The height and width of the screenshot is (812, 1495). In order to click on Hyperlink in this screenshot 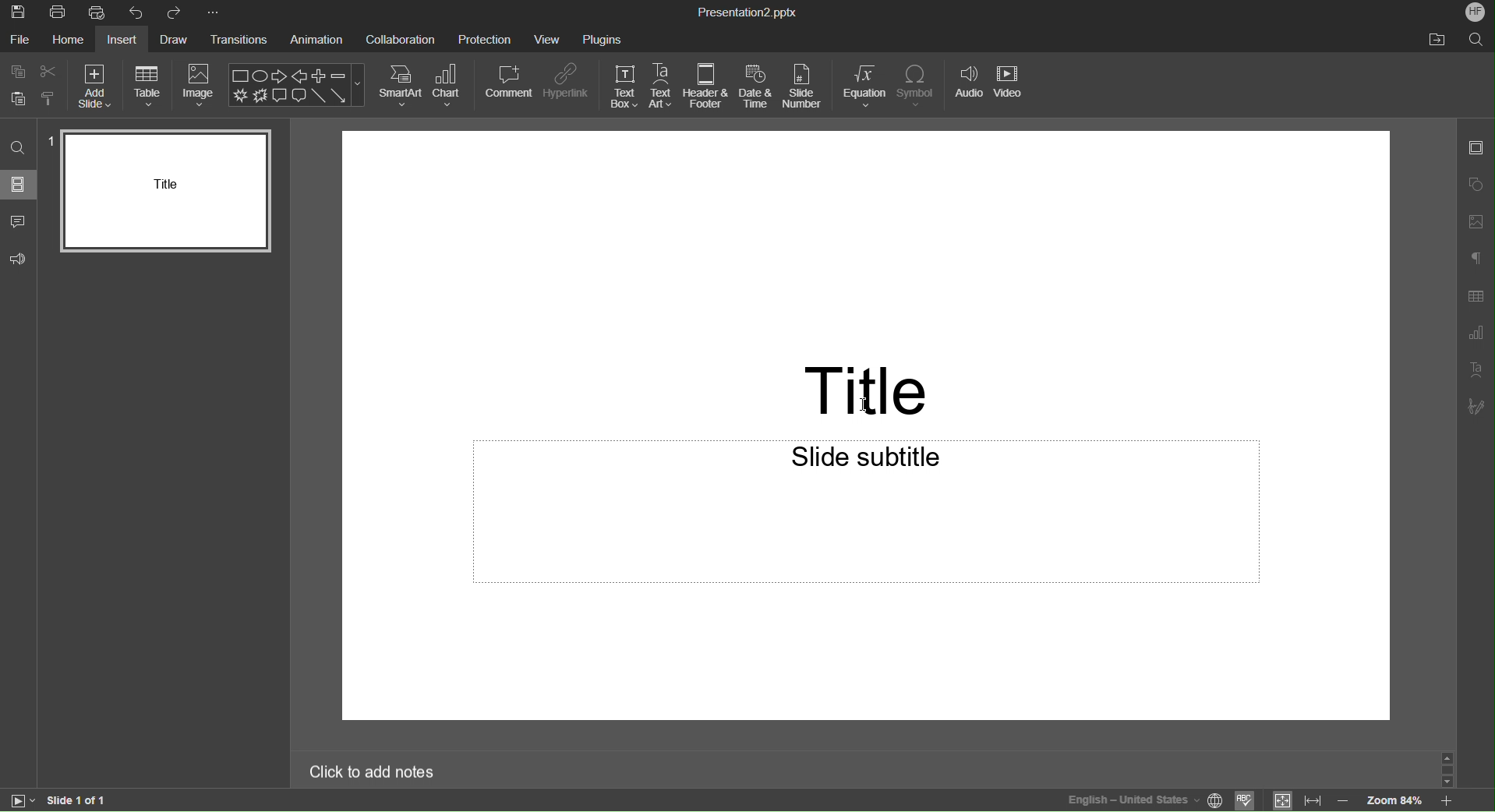, I will do `click(569, 86)`.